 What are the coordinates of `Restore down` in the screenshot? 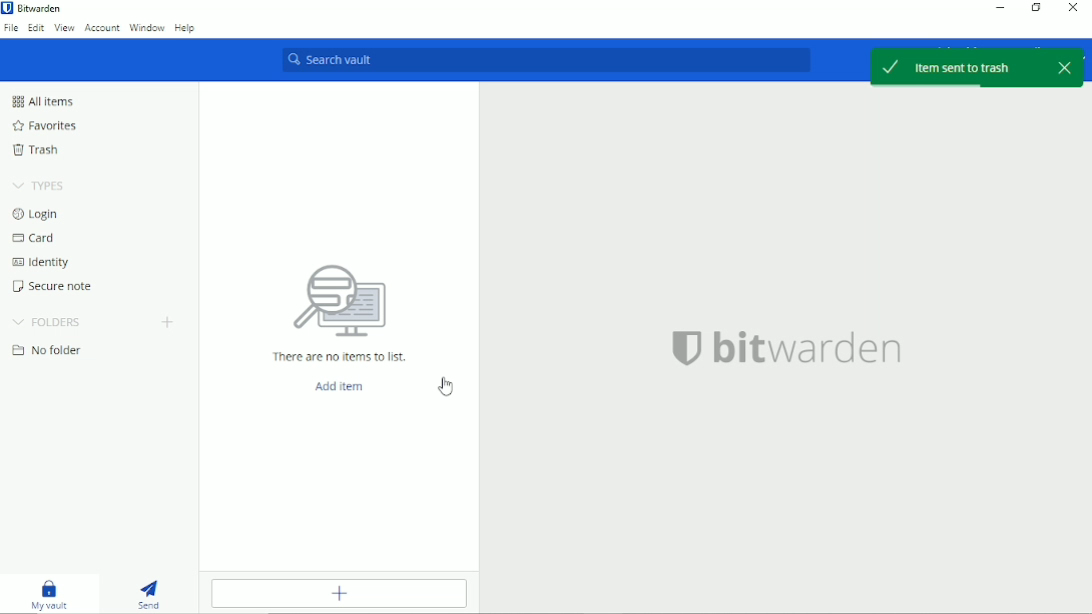 It's located at (1037, 11).